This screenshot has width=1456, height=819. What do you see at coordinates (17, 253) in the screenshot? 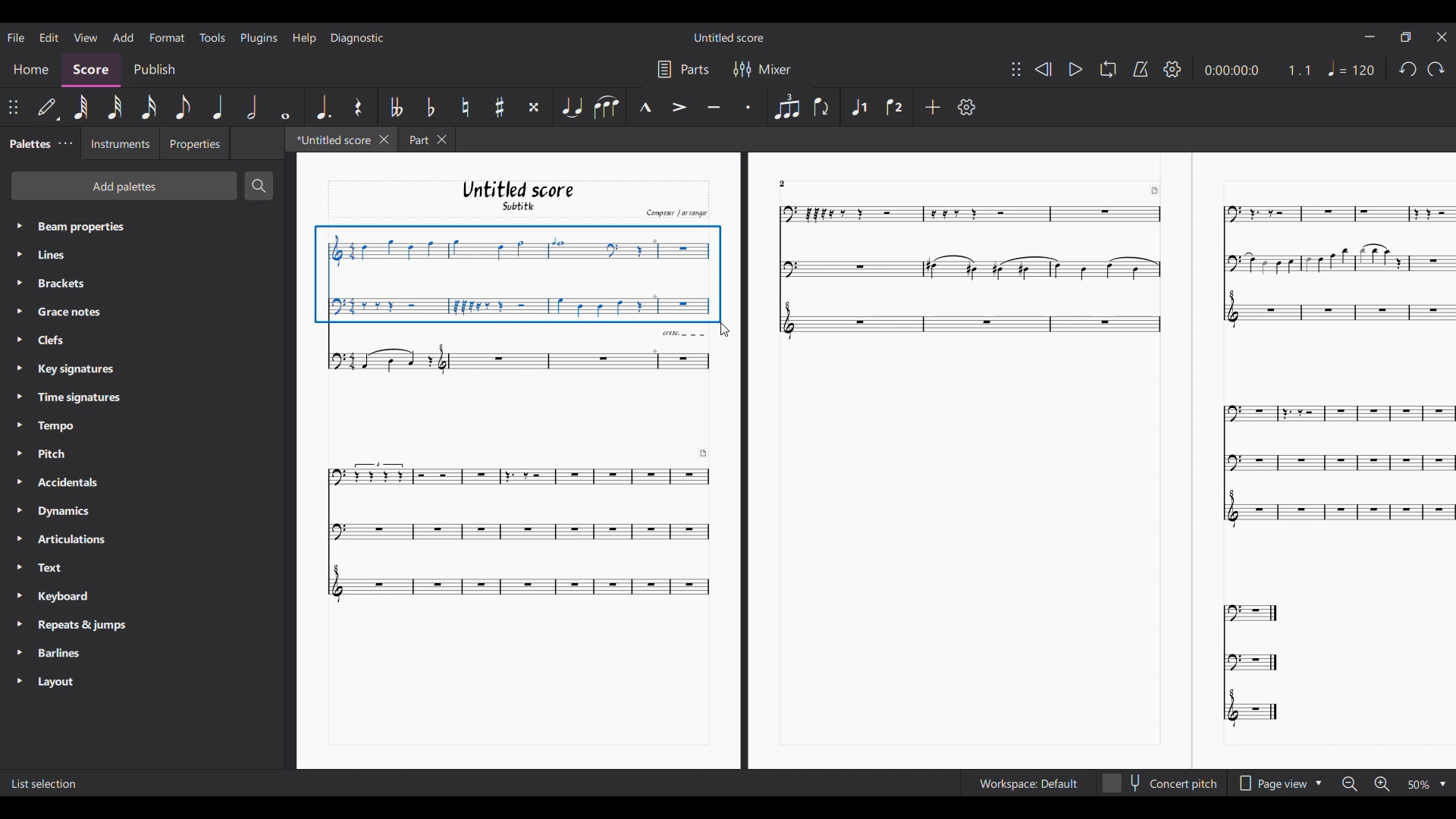
I see `` at bounding box center [17, 253].